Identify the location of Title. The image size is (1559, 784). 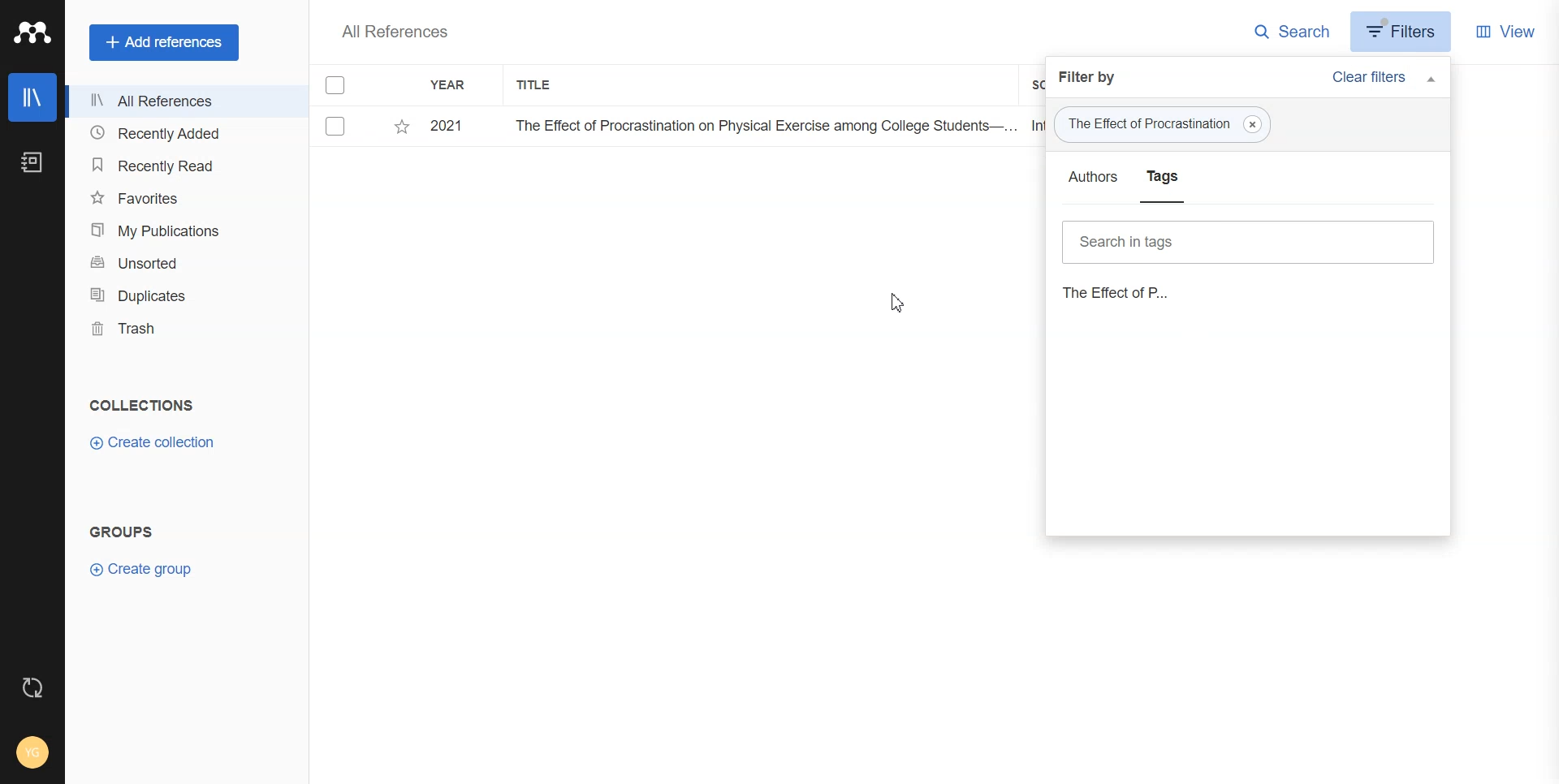
(542, 86).